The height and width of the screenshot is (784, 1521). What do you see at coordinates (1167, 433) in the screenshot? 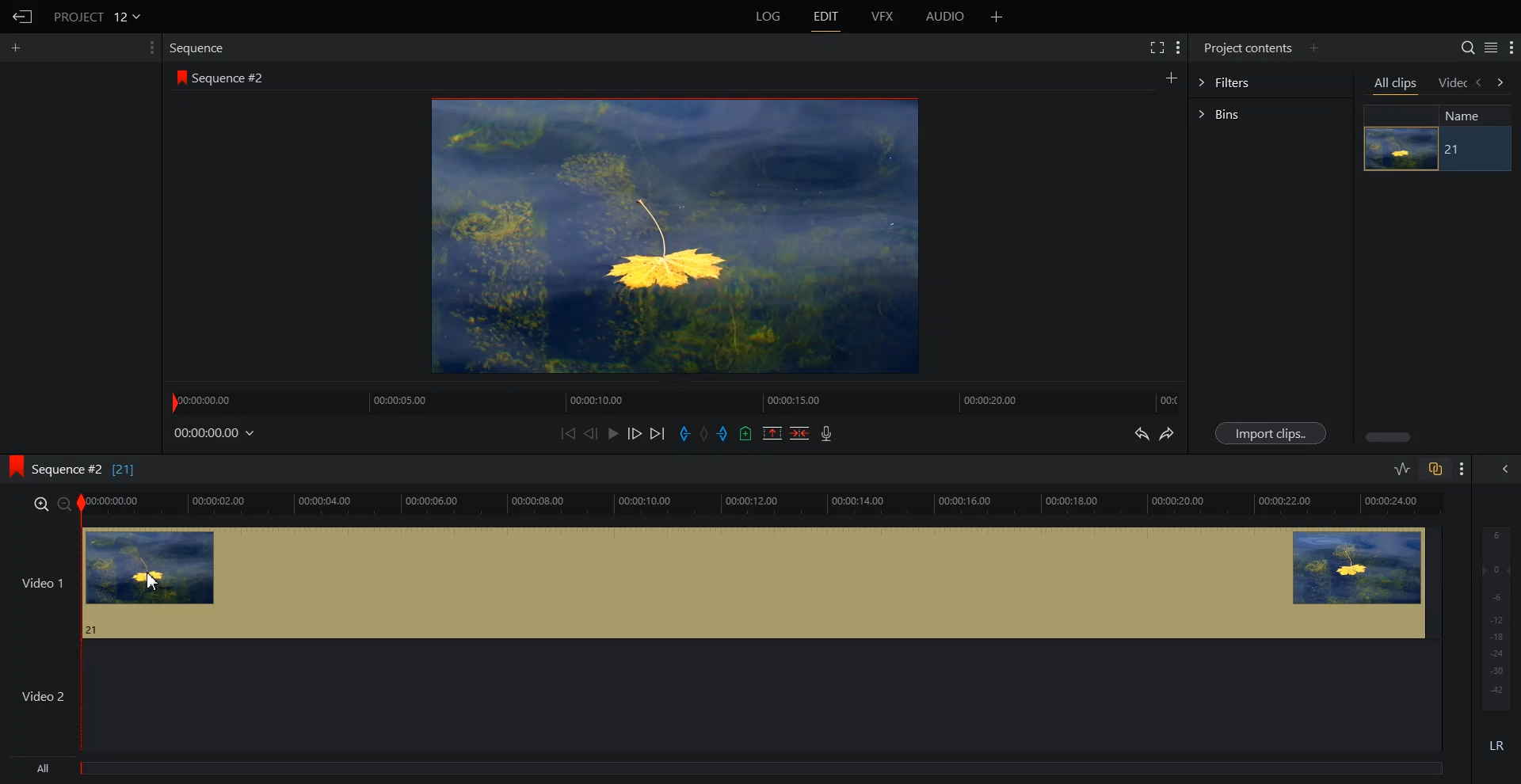
I see `Redo` at bounding box center [1167, 433].